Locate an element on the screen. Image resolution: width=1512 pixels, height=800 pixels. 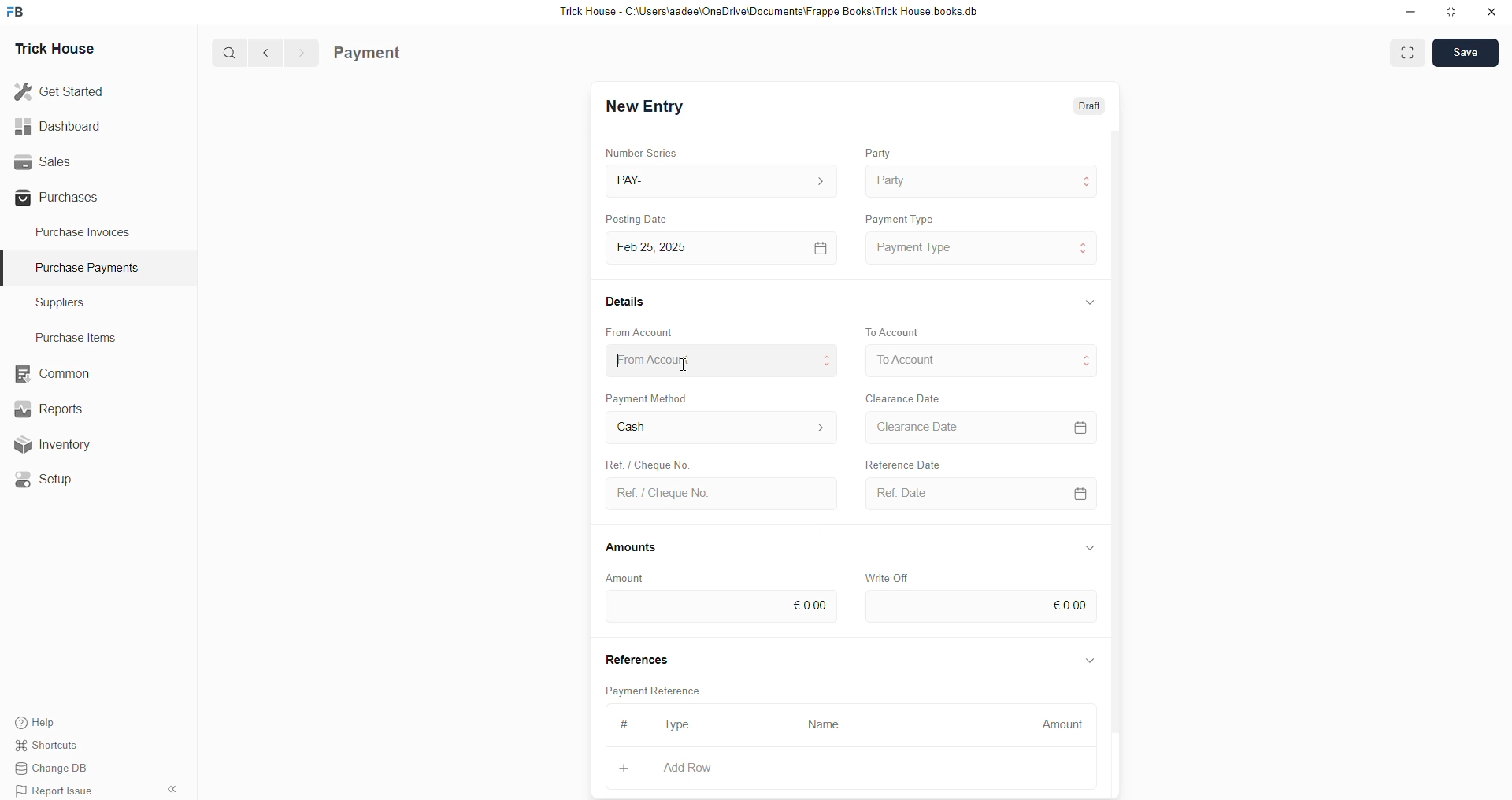
Q is located at coordinates (224, 51).